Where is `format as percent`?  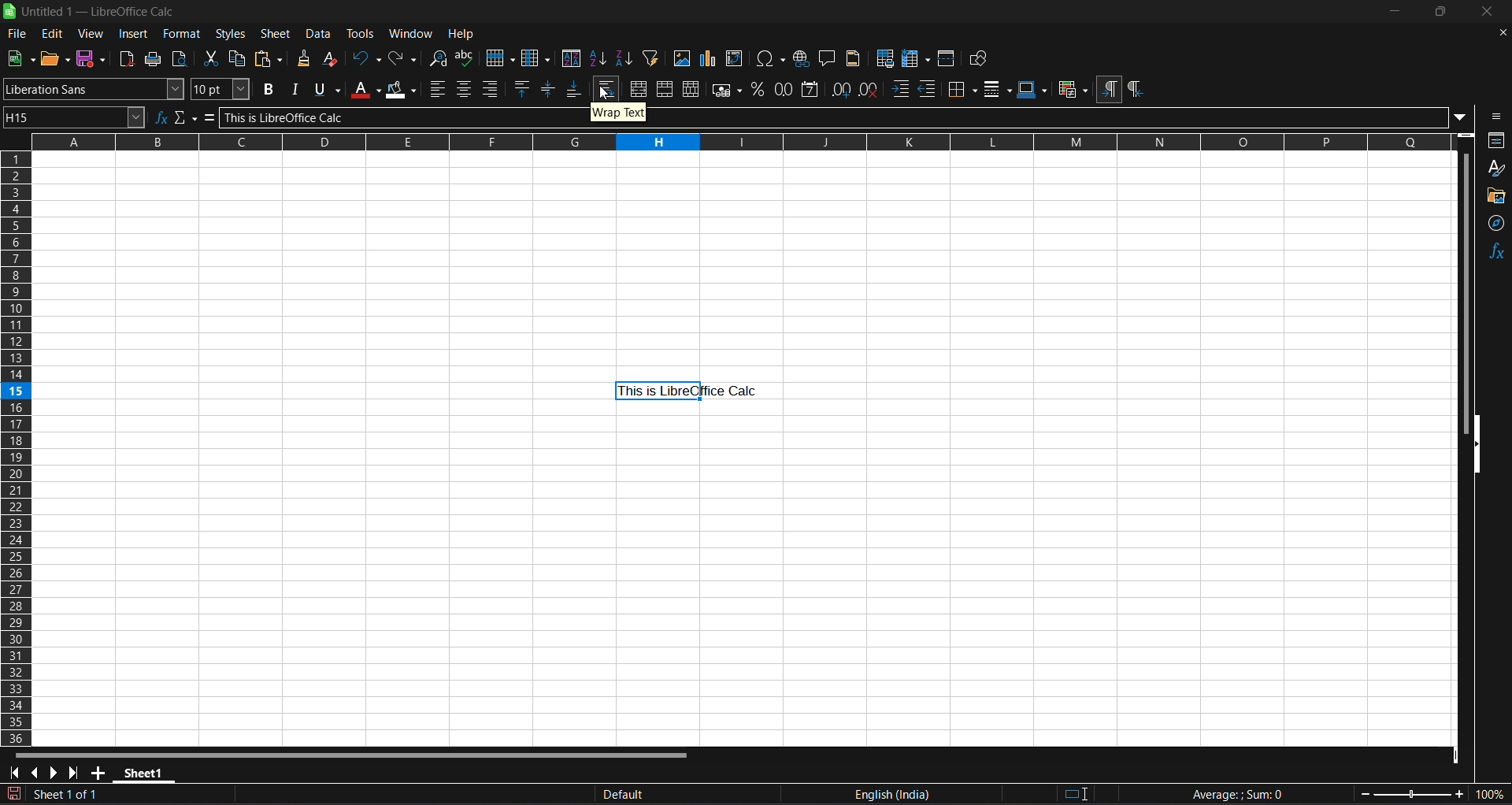
format as percent is located at coordinates (757, 90).